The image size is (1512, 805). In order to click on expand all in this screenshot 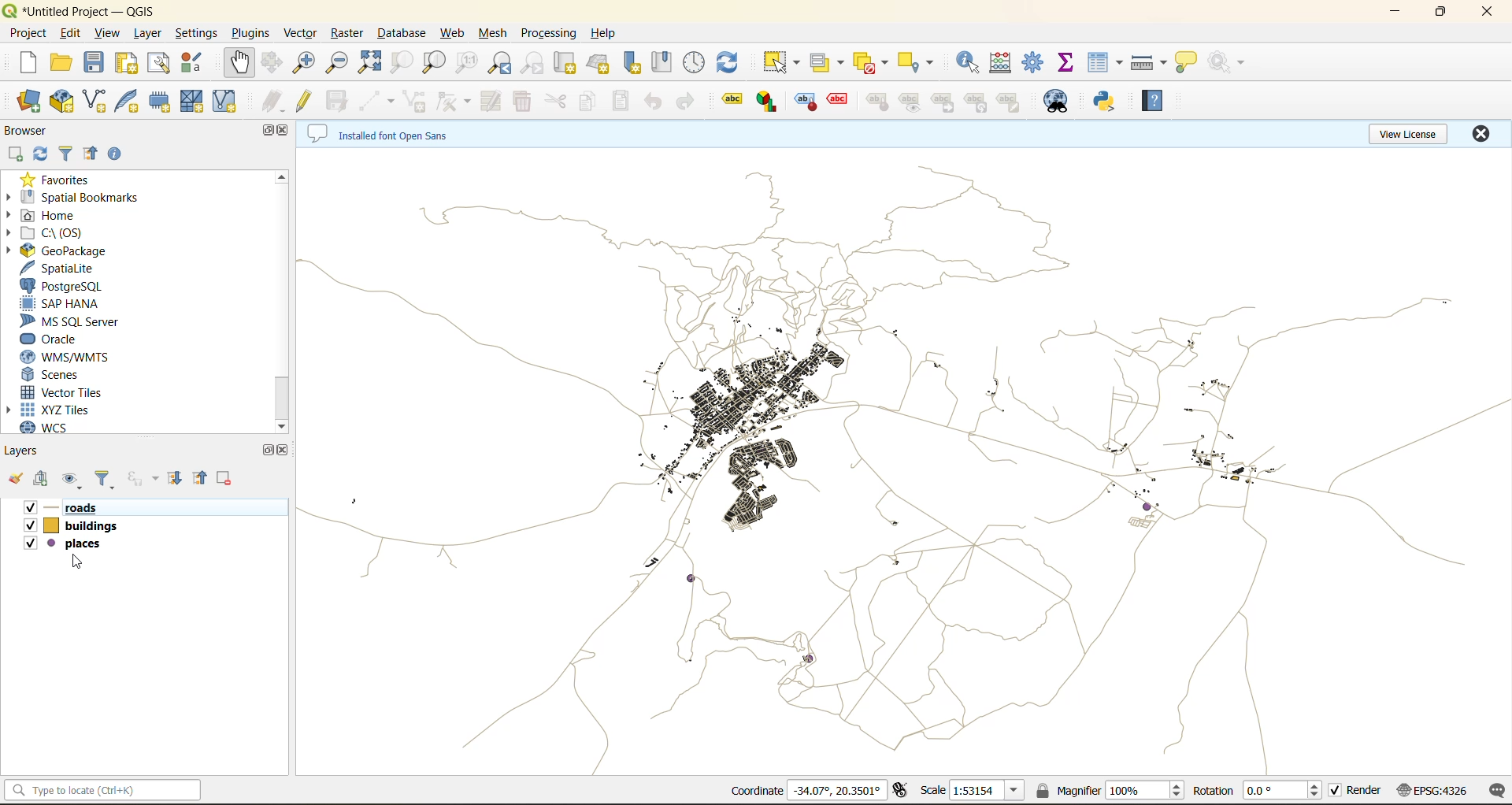, I will do `click(178, 479)`.